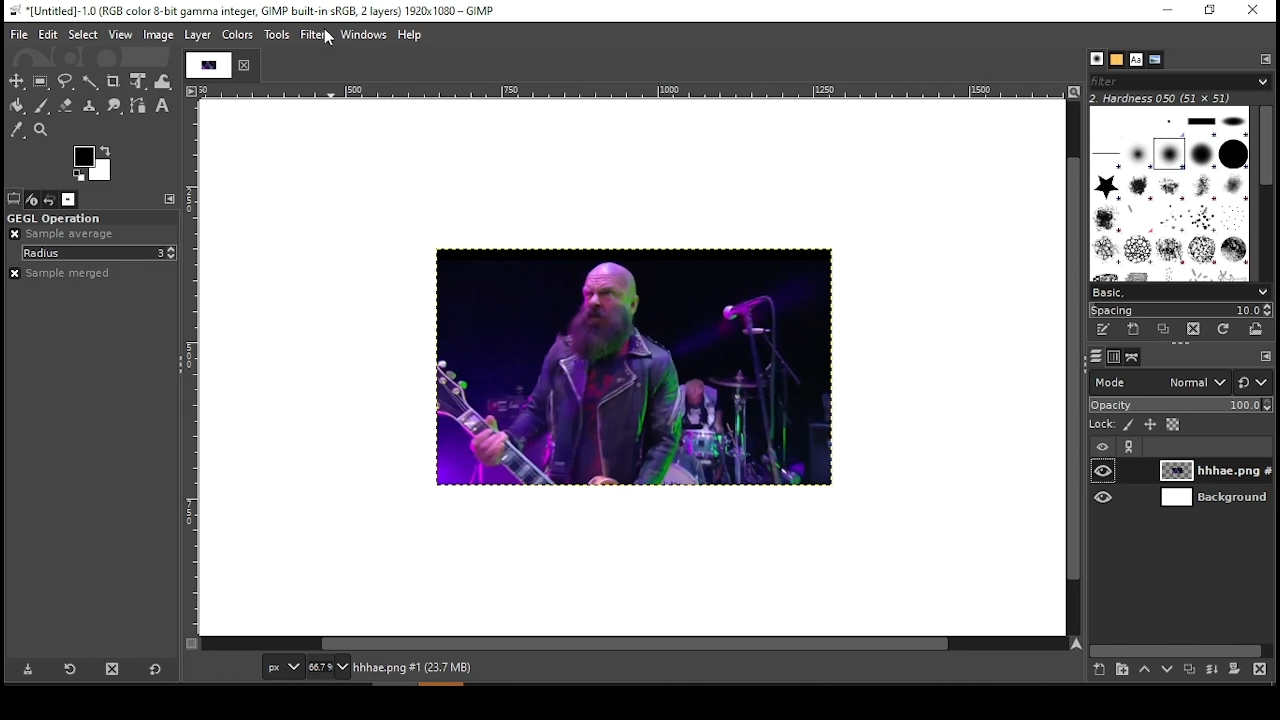 The height and width of the screenshot is (720, 1280). What do you see at coordinates (1203, 471) in the screenshot?
I see `layer ` at bounding box center [1203, 471].